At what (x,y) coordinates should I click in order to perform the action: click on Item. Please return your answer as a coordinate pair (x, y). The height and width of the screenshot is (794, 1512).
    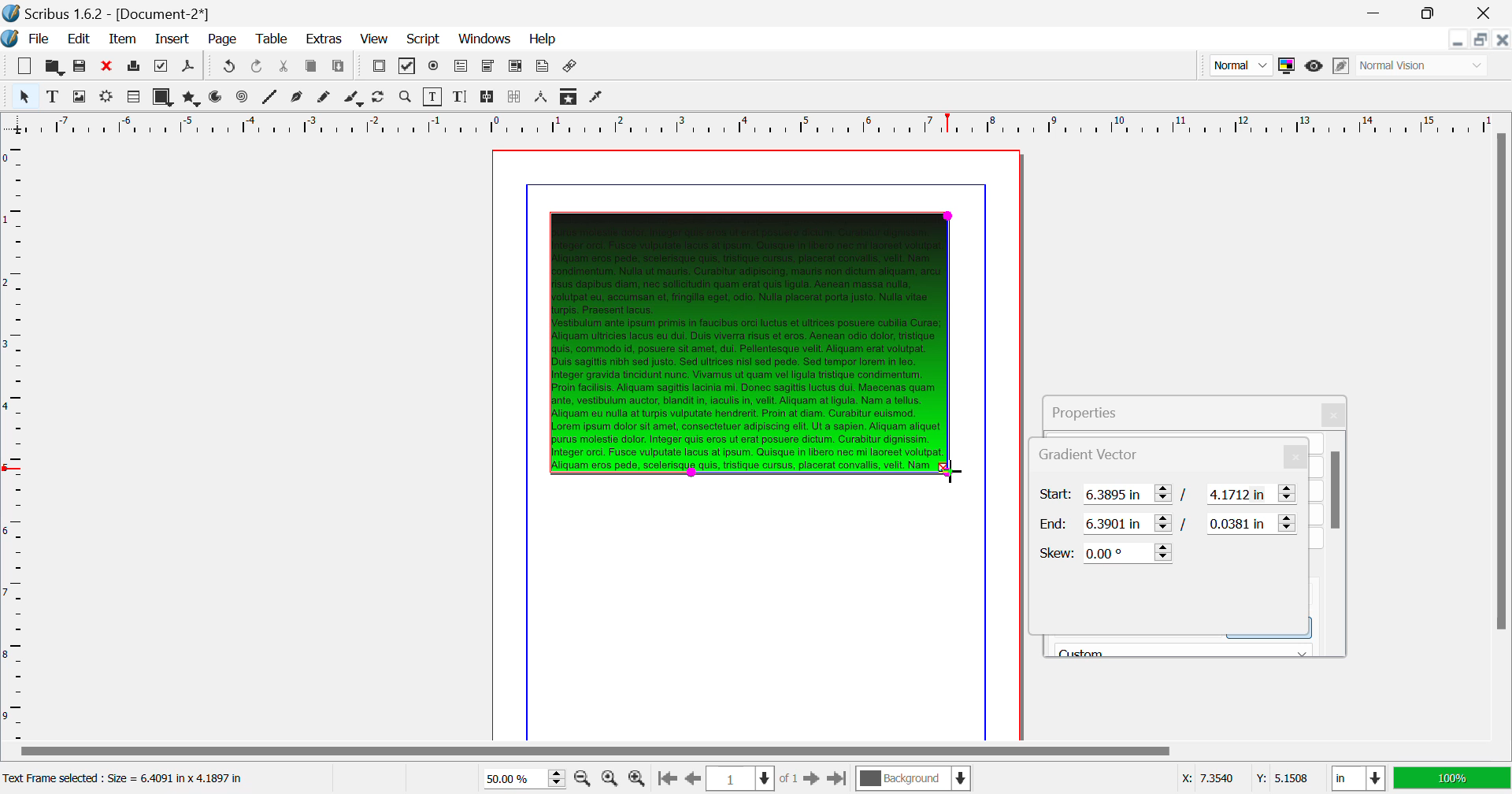
    Looking at the image, I should click on (124, 39).